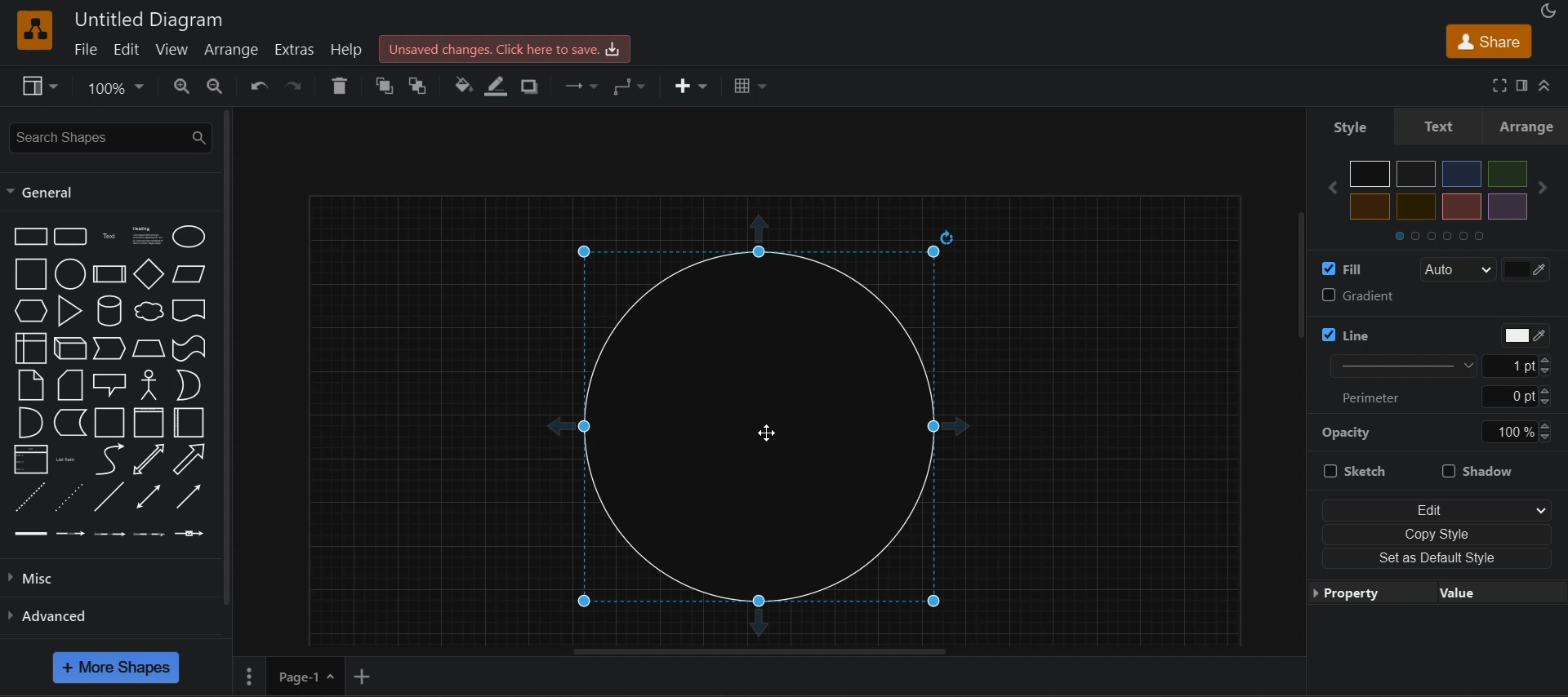  What do you see at coordinates (1459, 596) in the screenshot?
I see `value` at bounding box center [1459, 596].